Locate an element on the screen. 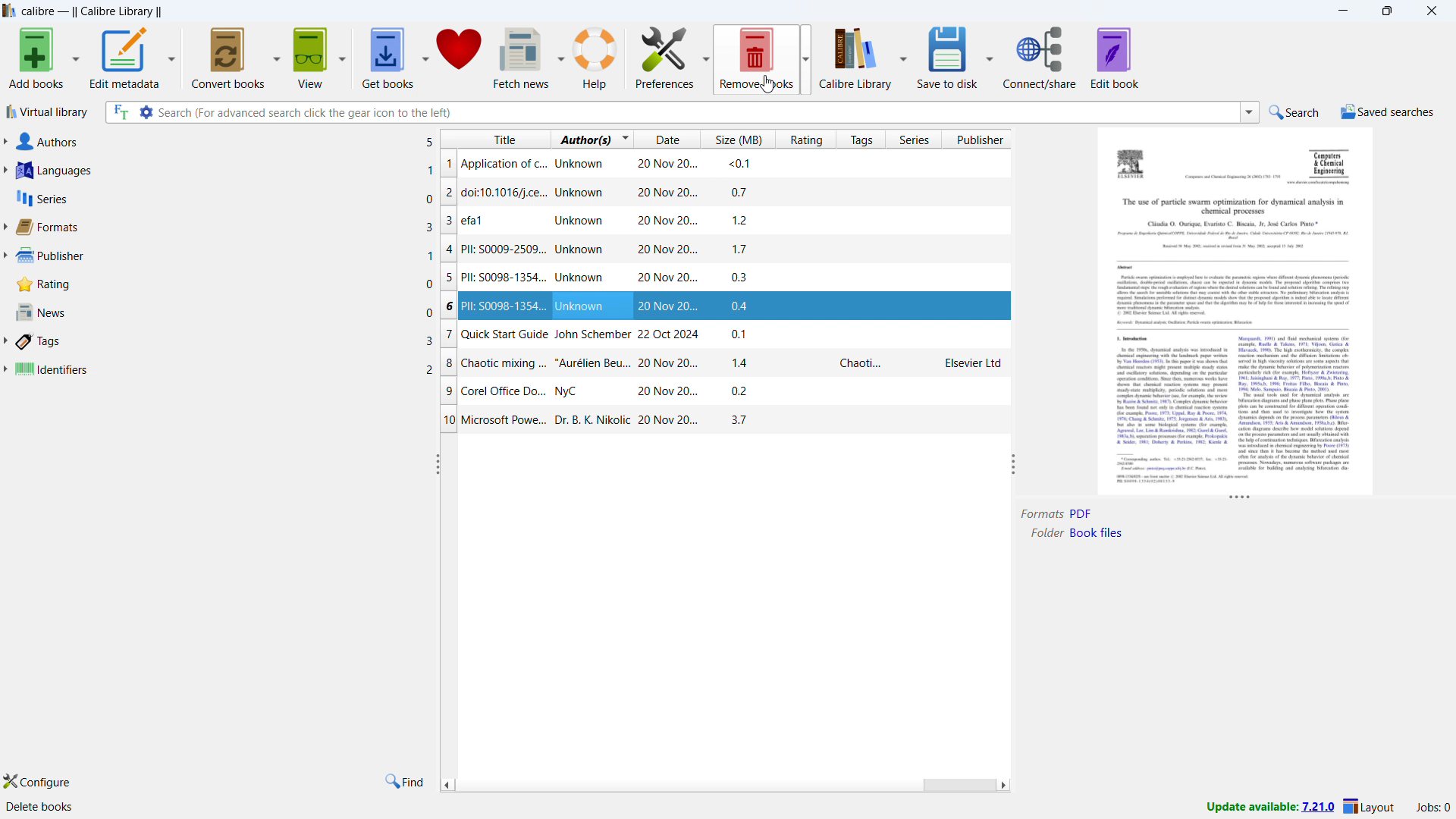  sort by title is located at coordinates (496, 138).